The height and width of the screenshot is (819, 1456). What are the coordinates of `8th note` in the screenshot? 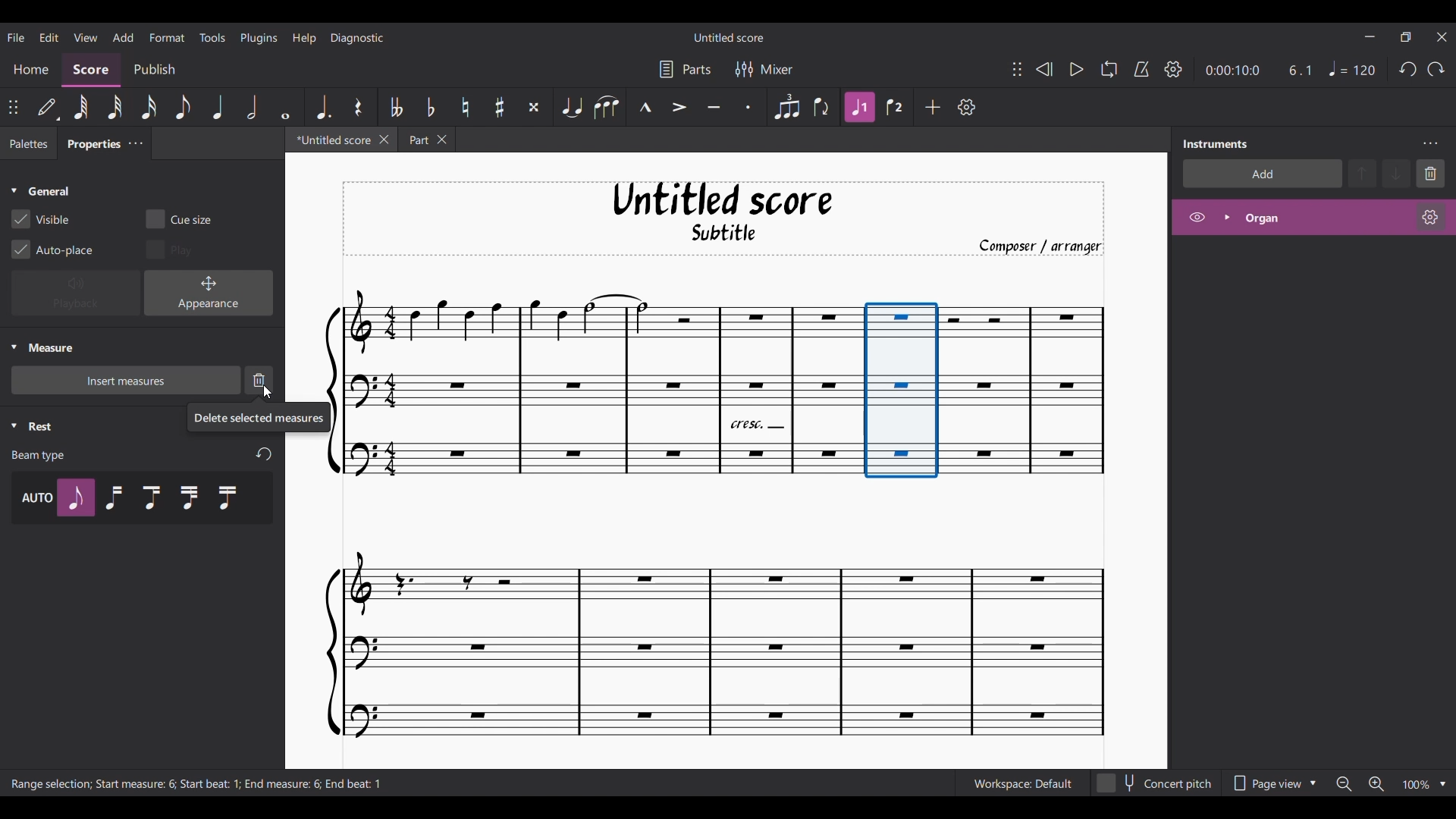 It's located at (183, 108).